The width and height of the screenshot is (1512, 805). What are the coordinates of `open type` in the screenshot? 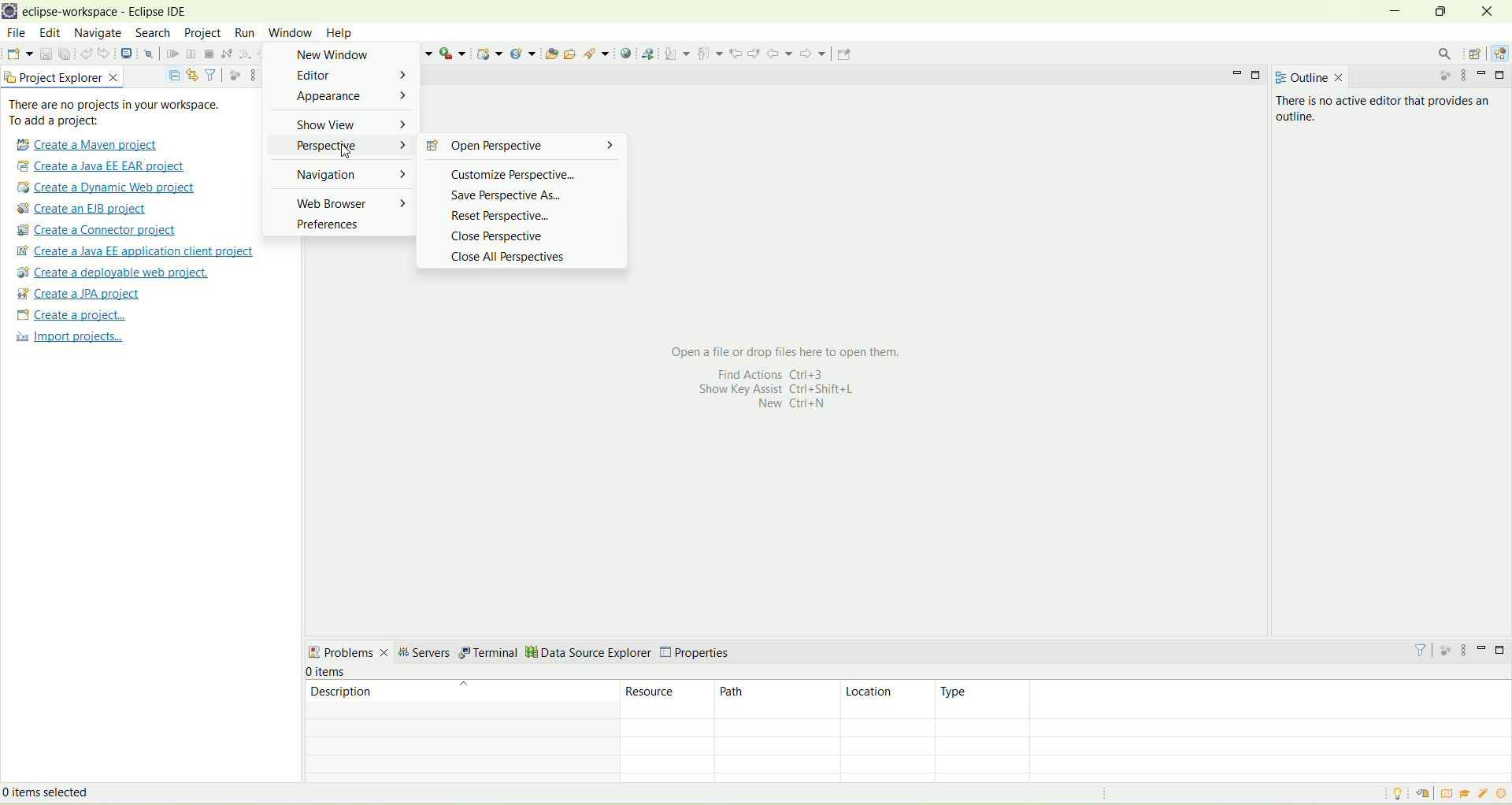 It's located at (550, 54).